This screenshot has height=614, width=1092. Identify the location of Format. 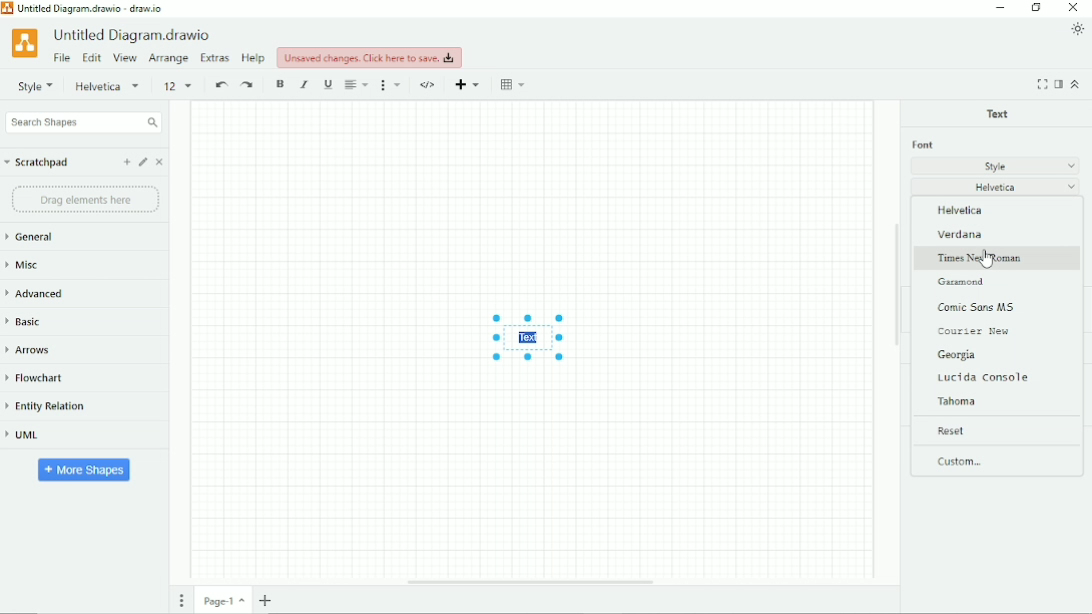
(392, 85).